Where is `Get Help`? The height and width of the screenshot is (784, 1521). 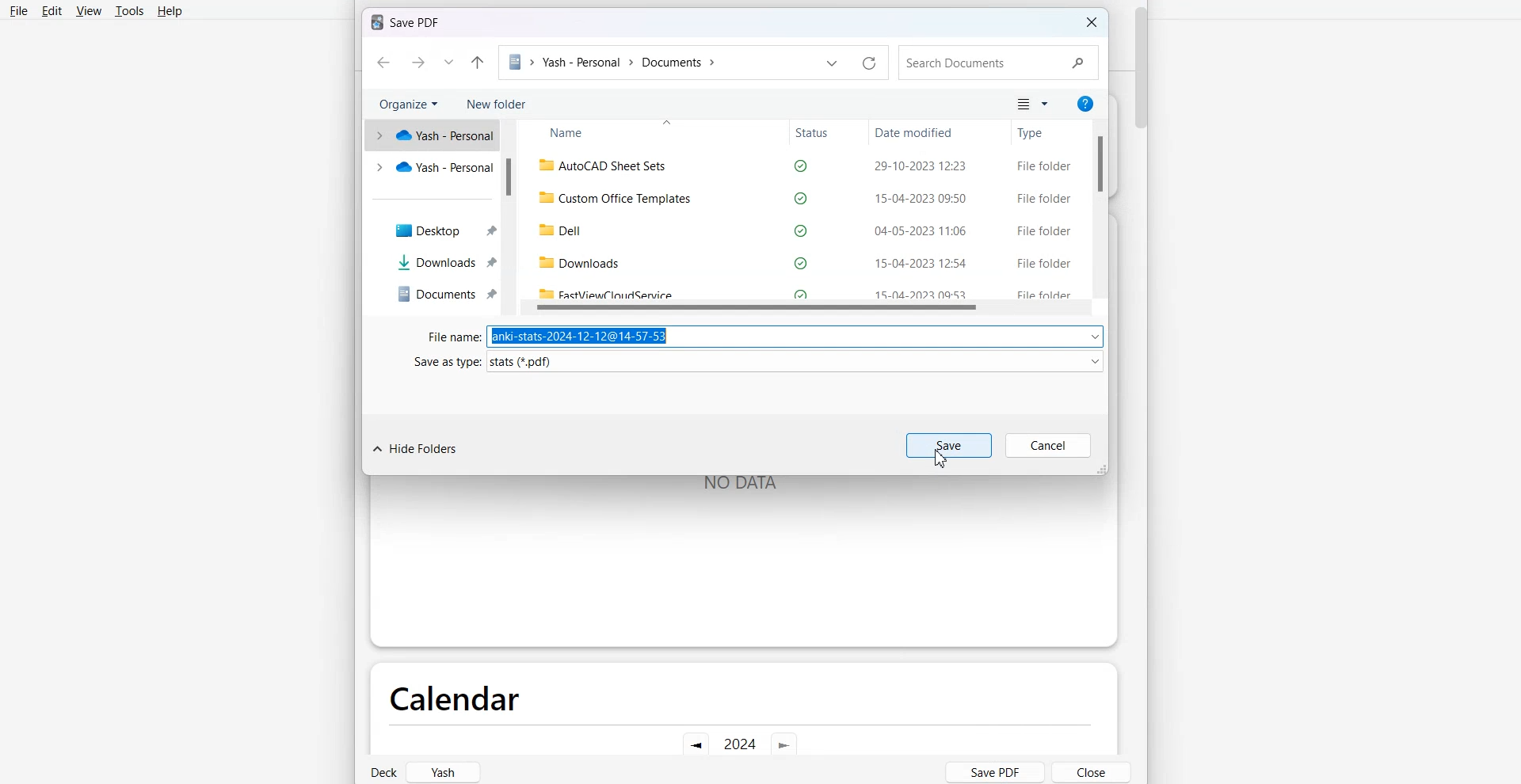
Get Help is located at coordinates (1087, 103).